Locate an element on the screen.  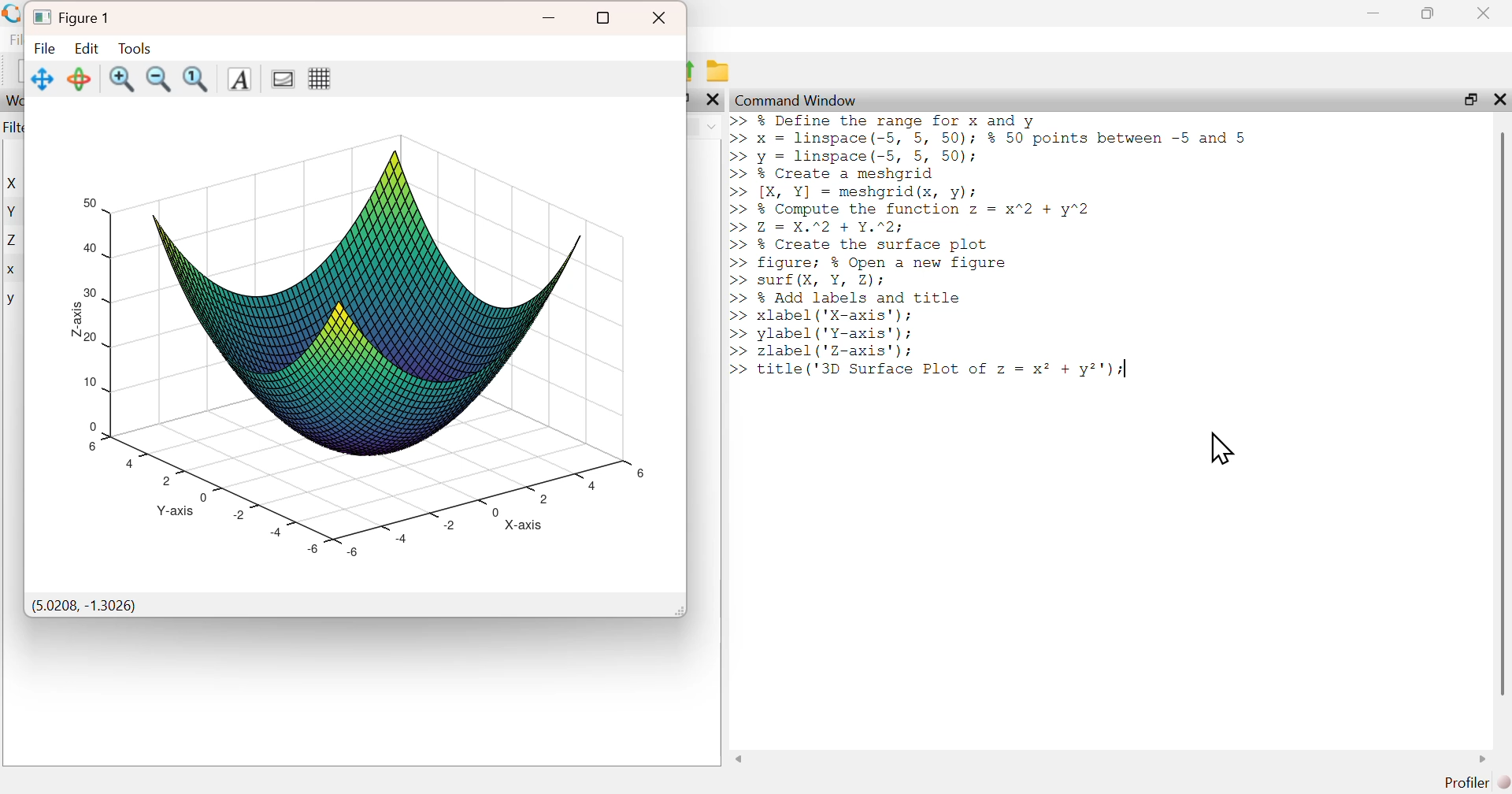
close is located at coordinates (1498, 98).